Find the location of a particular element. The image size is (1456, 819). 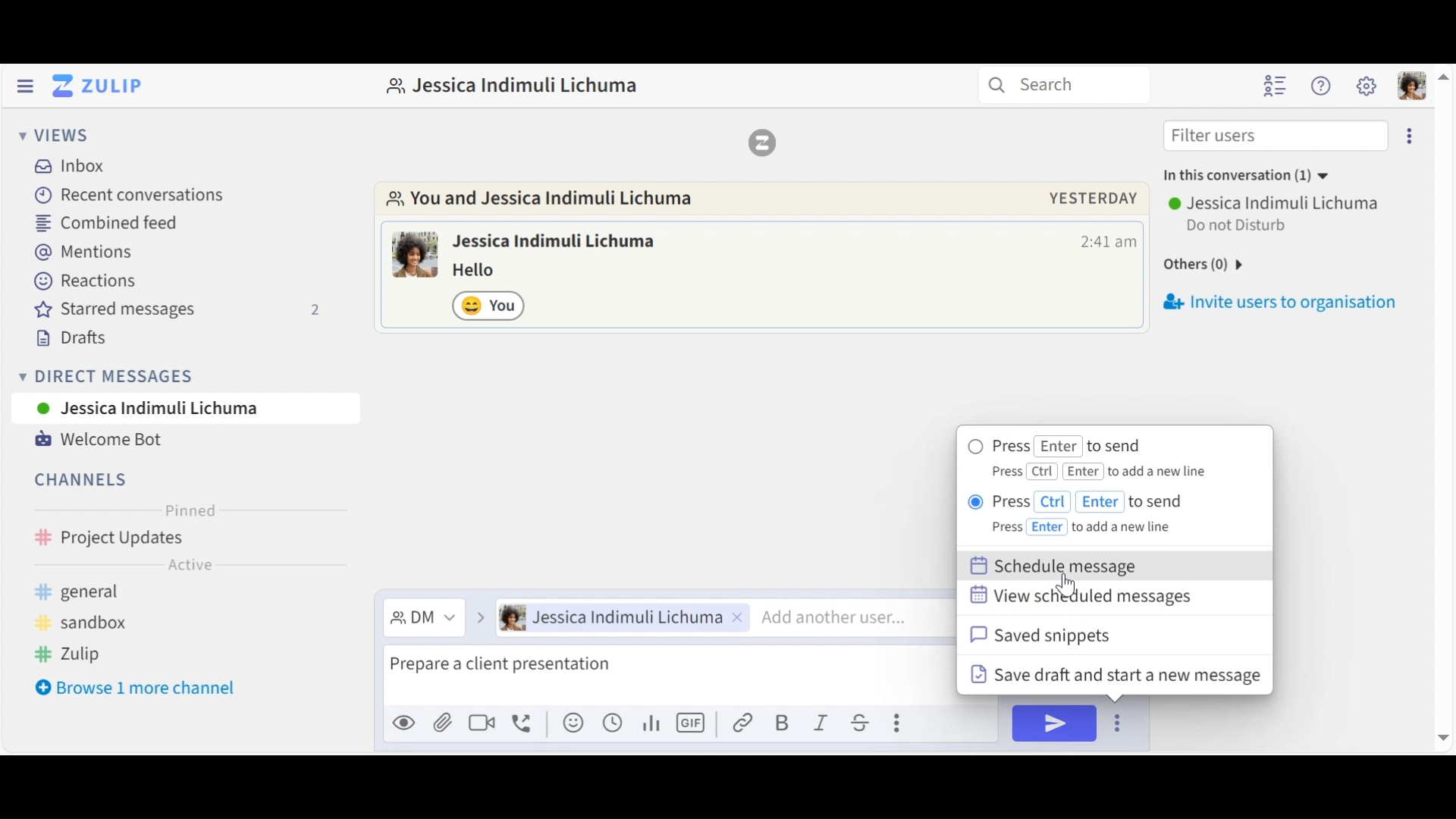

Filter users is located at coordinates (1275, 135).